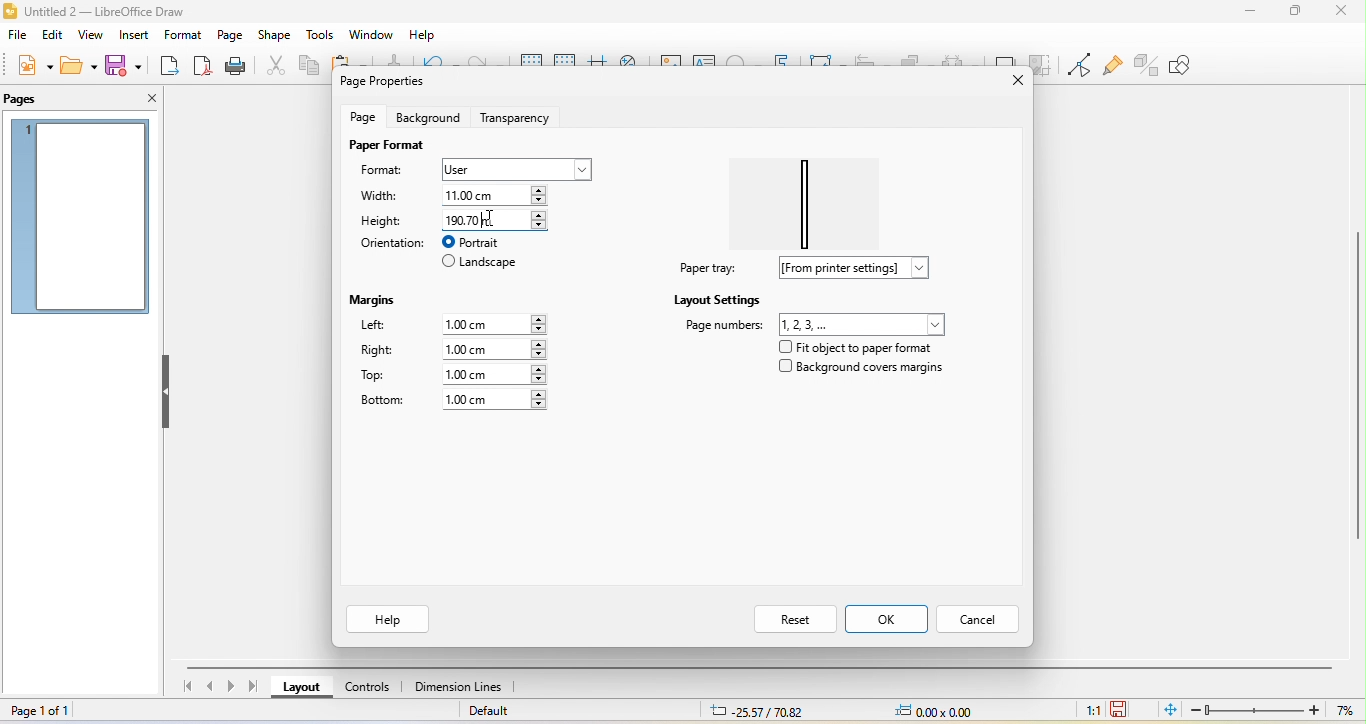 This screenshot has width=1366, height=724. Describe the element at coordinates (390, 619) in the screenshot. I see `help` at that location.